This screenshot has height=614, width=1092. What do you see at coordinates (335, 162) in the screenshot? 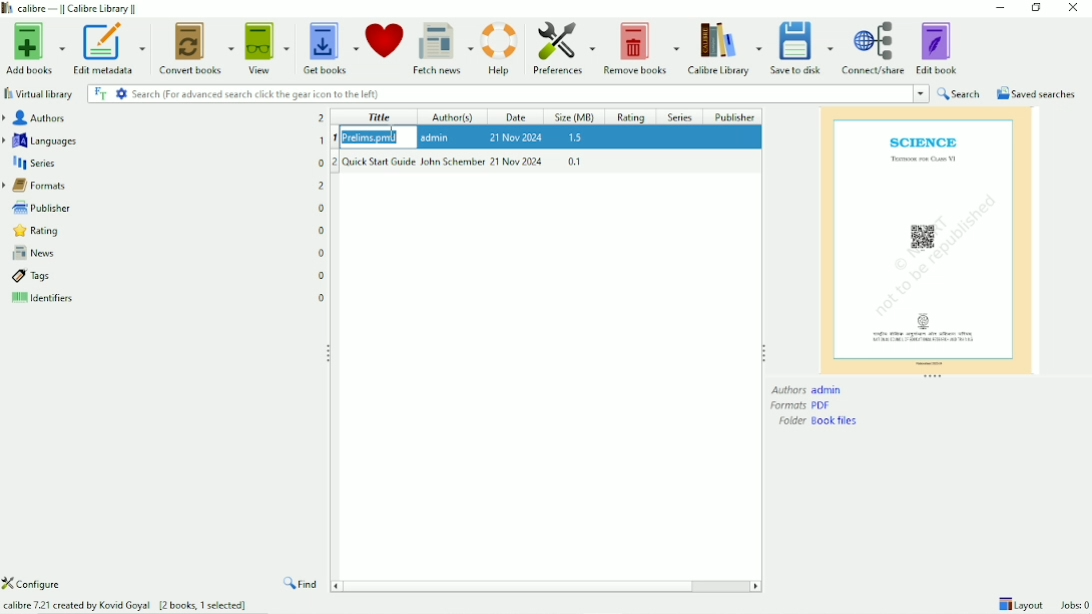
I see `2` at bounding box center [335, 162].